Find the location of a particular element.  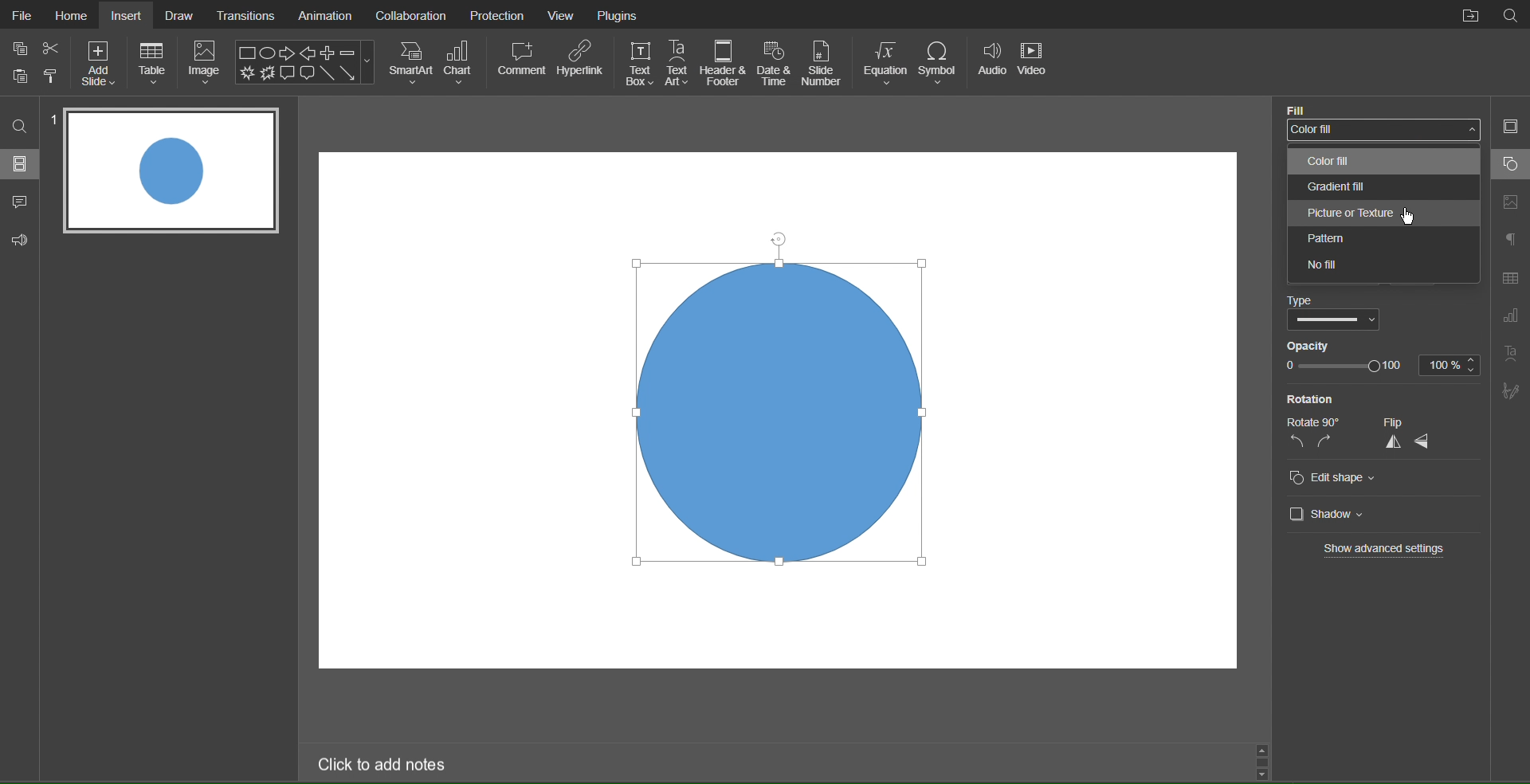

Shape Settings is located at coordinates (1509, 165).